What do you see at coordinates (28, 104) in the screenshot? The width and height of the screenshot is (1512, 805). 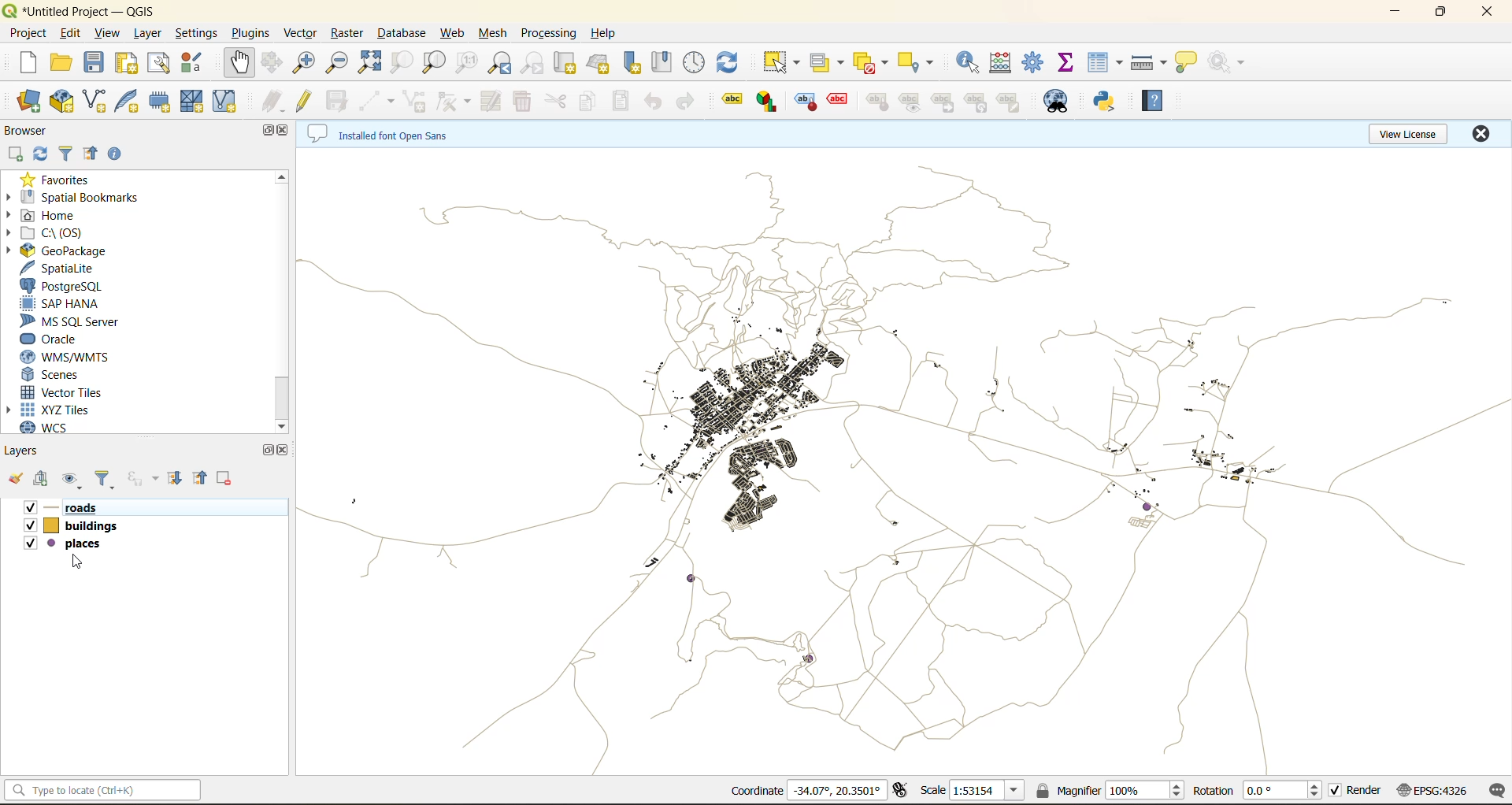 I see `open data source manager` at bounding box center [28, 104].